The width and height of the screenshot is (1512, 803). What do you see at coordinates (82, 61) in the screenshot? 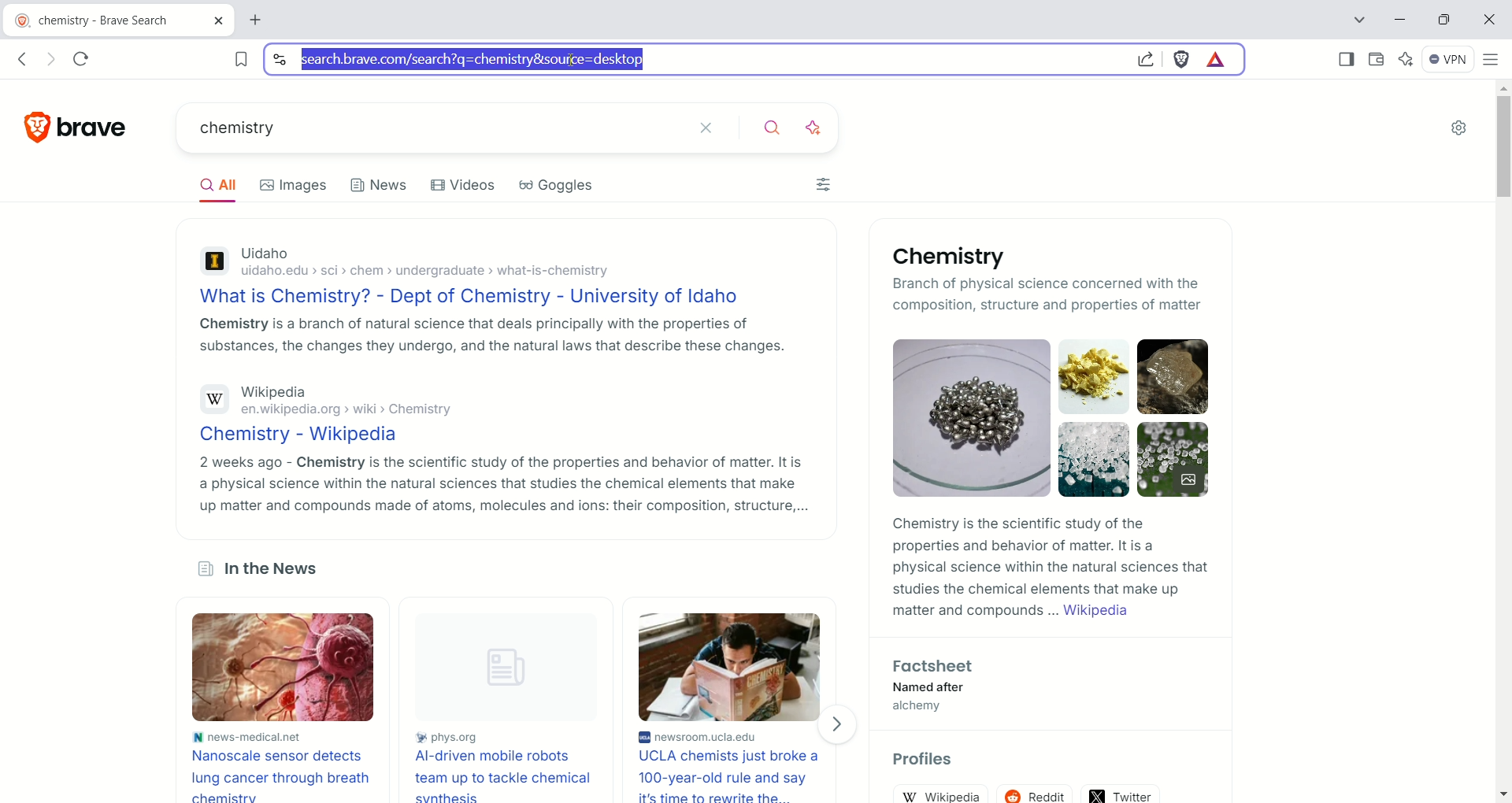
I see `reload` at bounding box center [82, 61].